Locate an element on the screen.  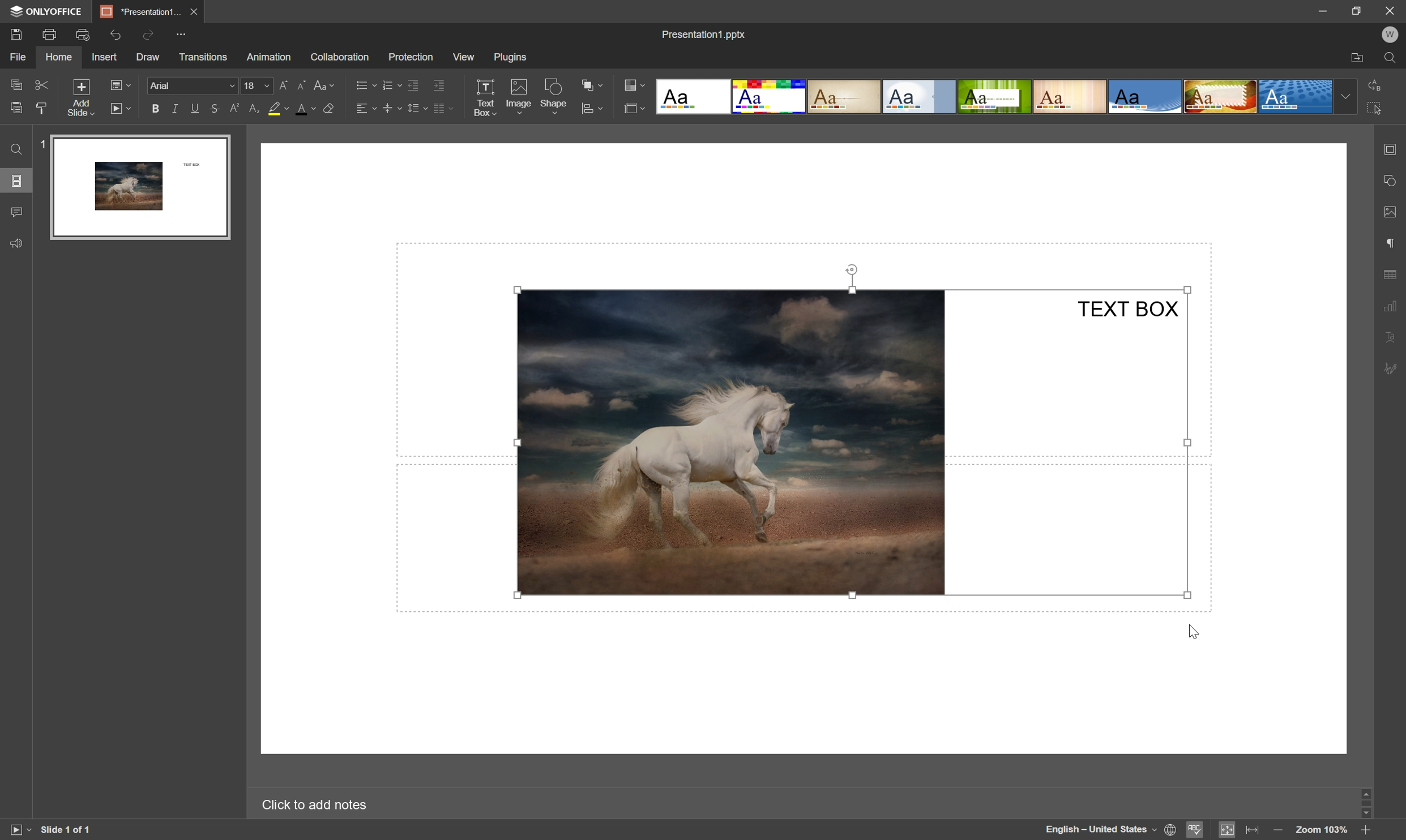
draw is located at coordinates (148, 58).